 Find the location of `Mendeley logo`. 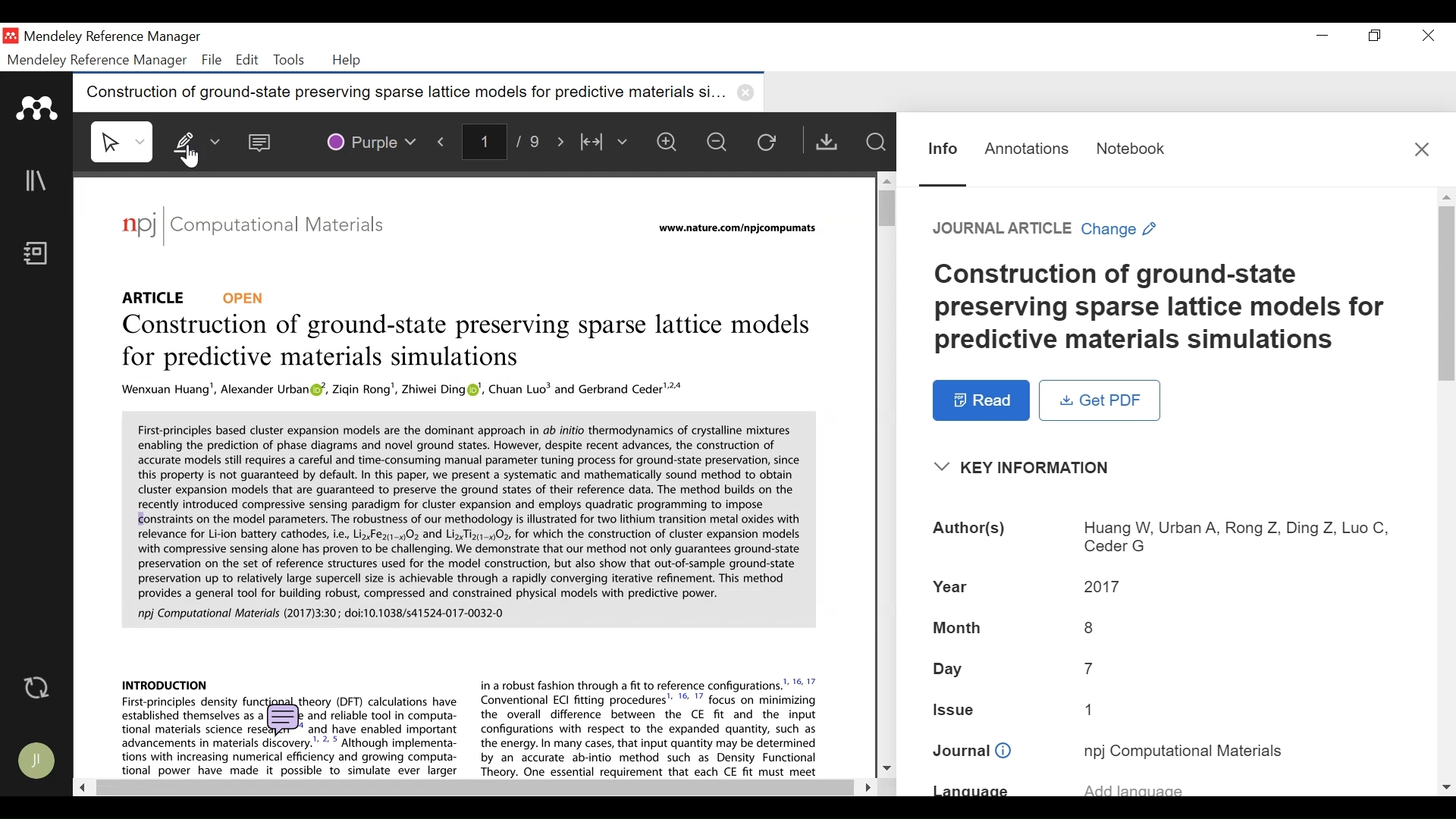

Mendeley logo is located at coordinates (39, 108).